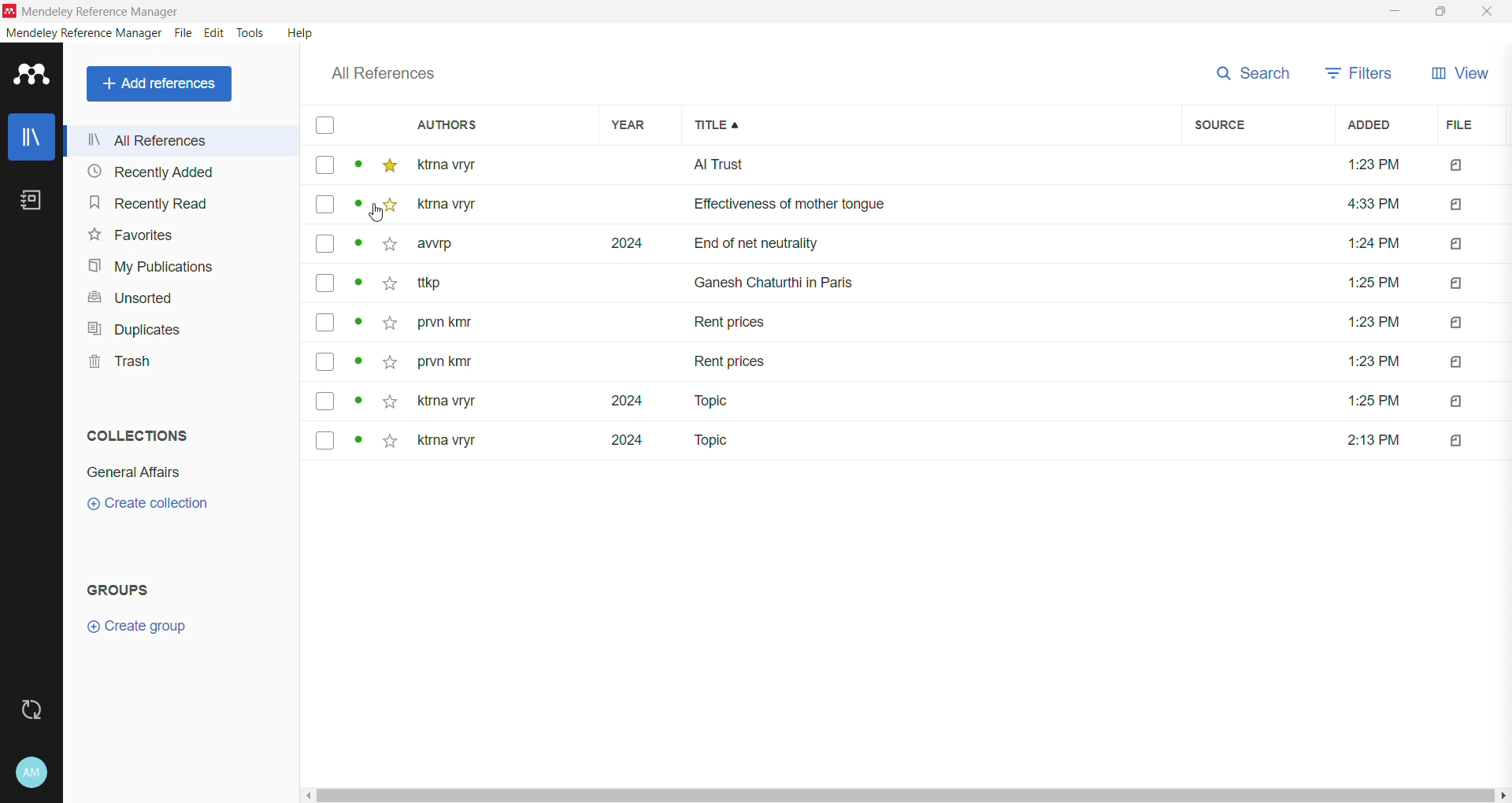 This screenshot has width=1512, height=803. What do you see at coordinates (1368, 205) in the screenshot?
I see `4:33pm` at bounding box center [1368, 205].